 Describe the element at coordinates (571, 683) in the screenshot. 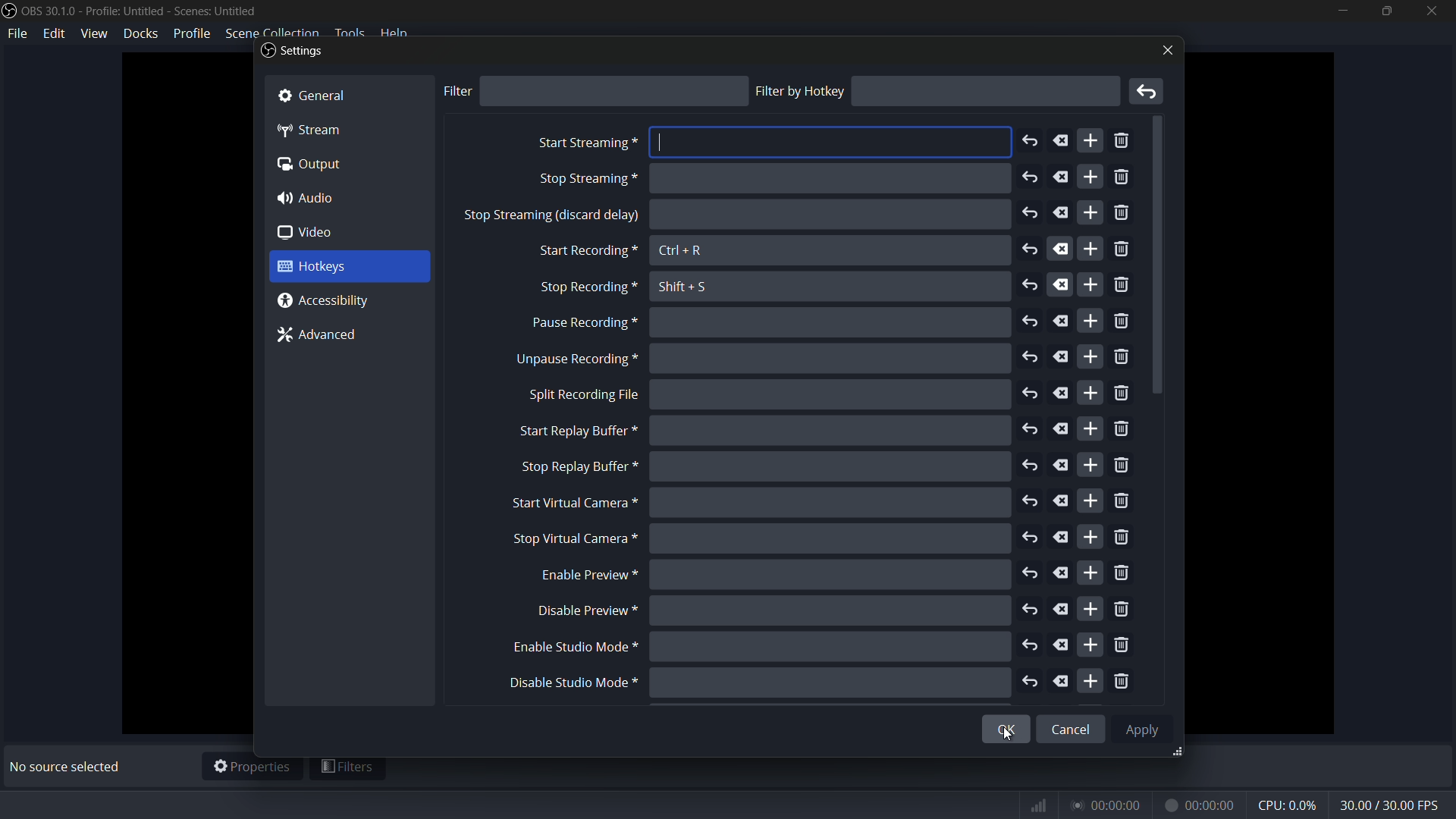

I see `disable studio mode` at that location.